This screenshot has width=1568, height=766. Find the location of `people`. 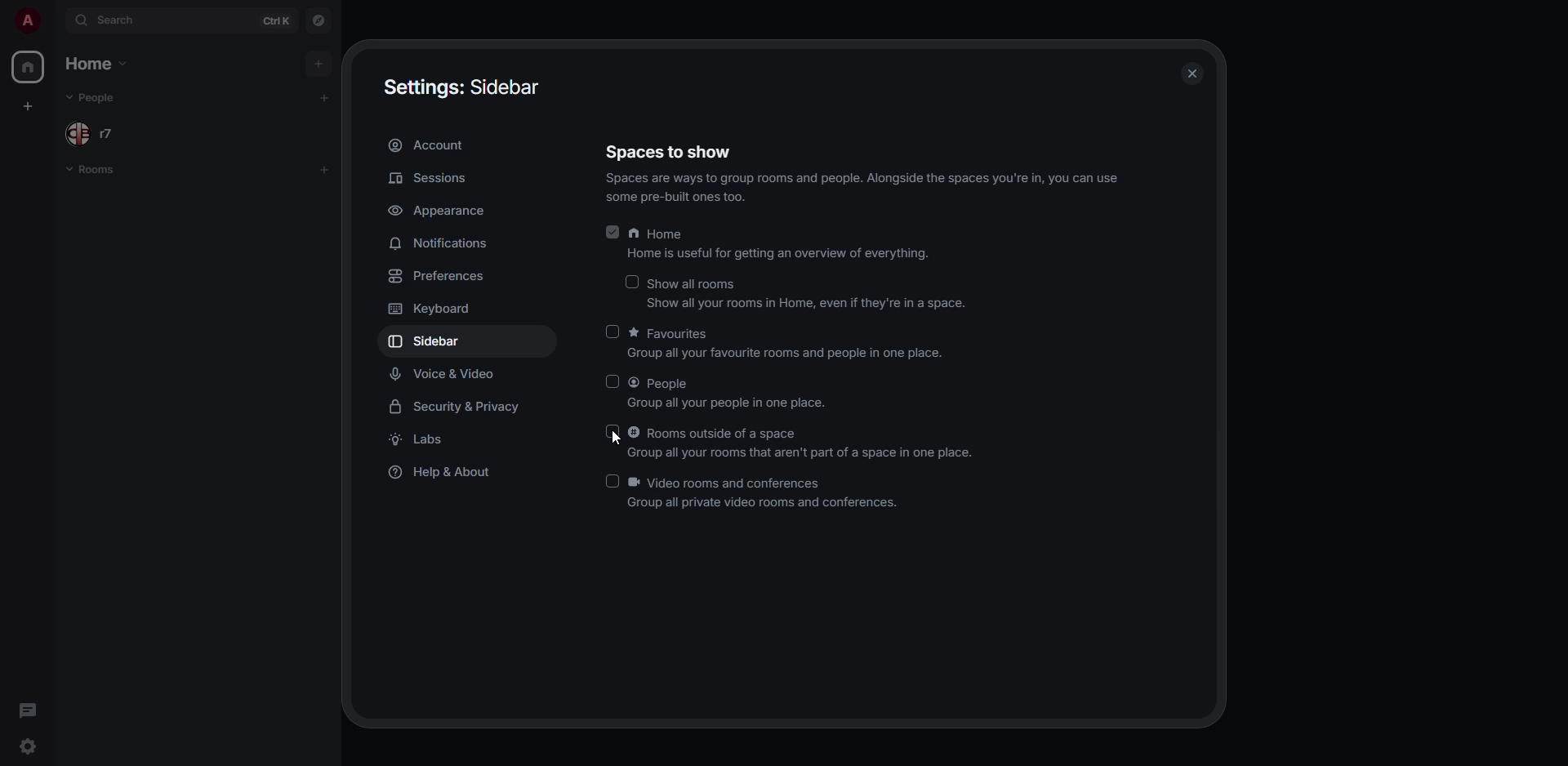

people is located at coordinates (91, 133).